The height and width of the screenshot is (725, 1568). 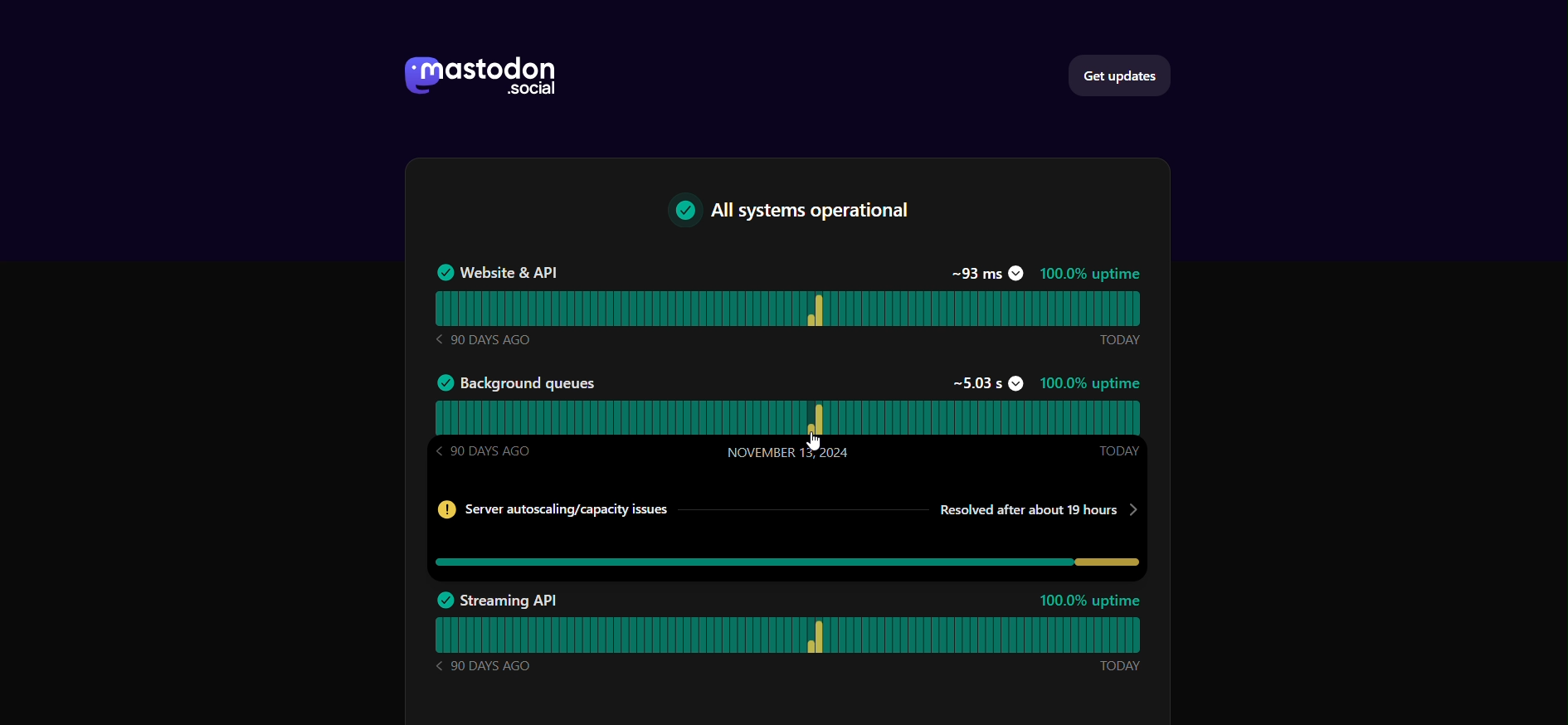 What do you see at coordinates (483, 340) in the screenshot?
I see `90 DAYS AGO` at bounding box center [483, 340].